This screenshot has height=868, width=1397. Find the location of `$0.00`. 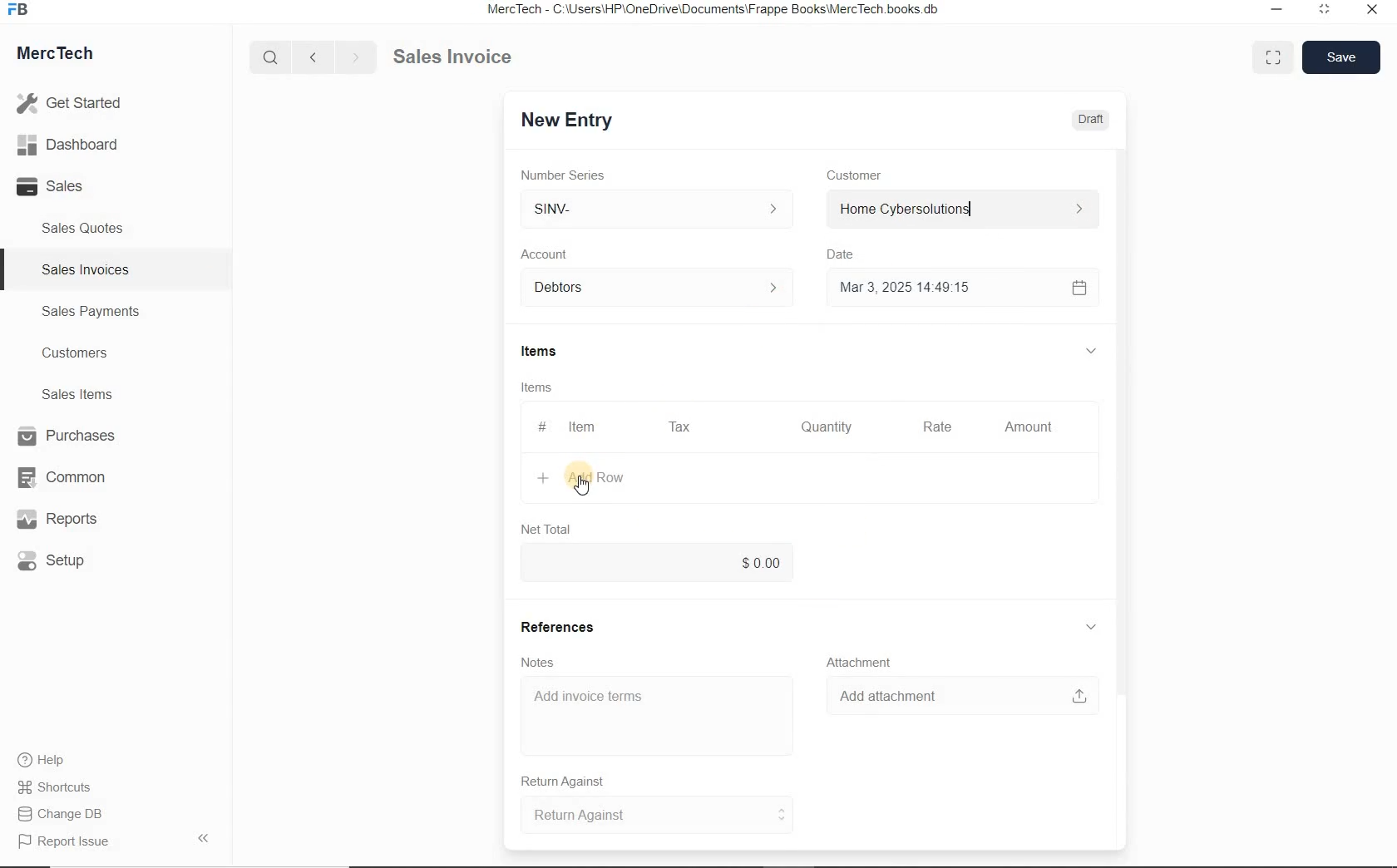

$0.00 is located at coordinates (658, 560).